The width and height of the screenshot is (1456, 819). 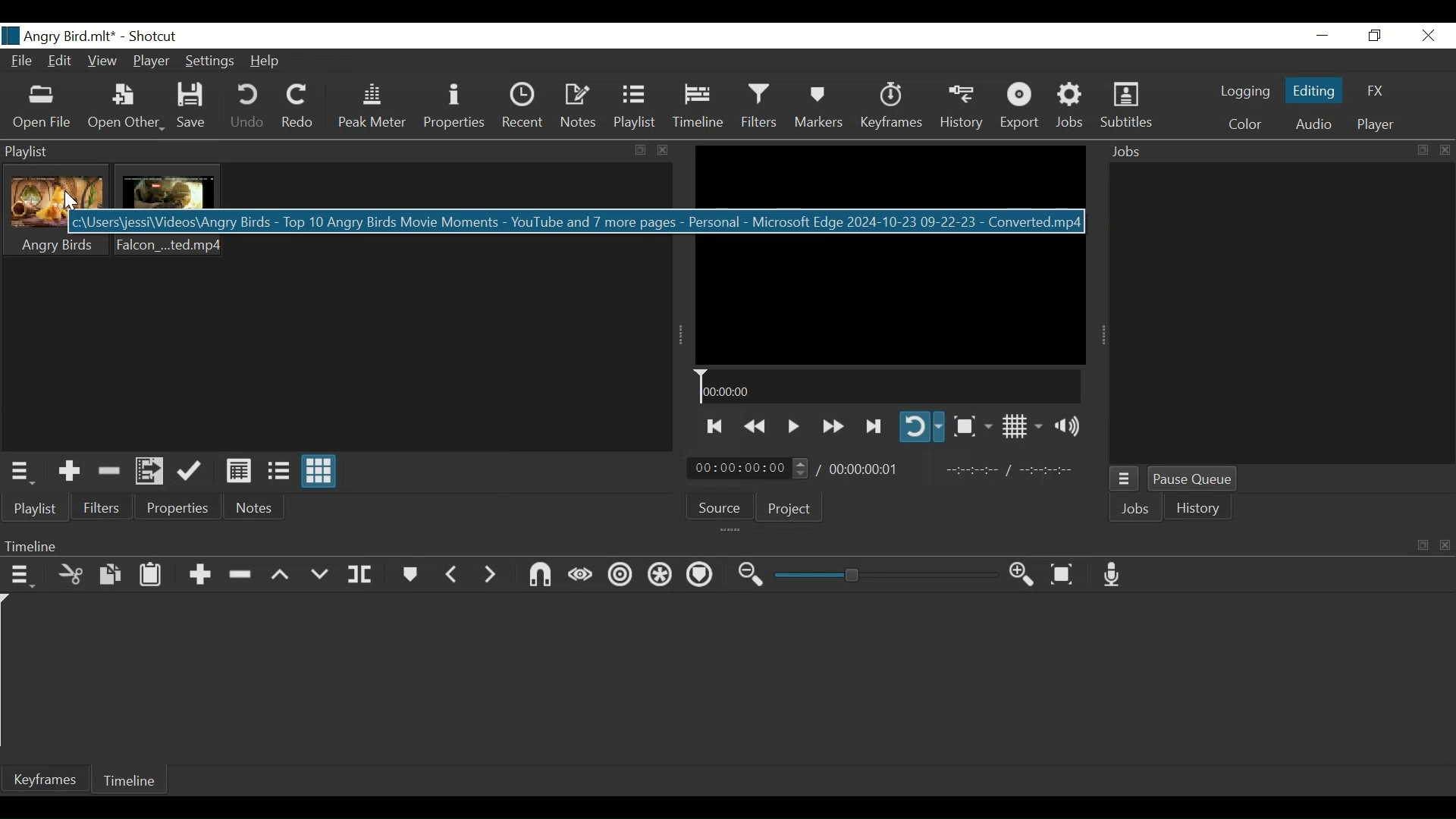 I want to click on Zoom timeline to fit, so click(x=1062, y=576).